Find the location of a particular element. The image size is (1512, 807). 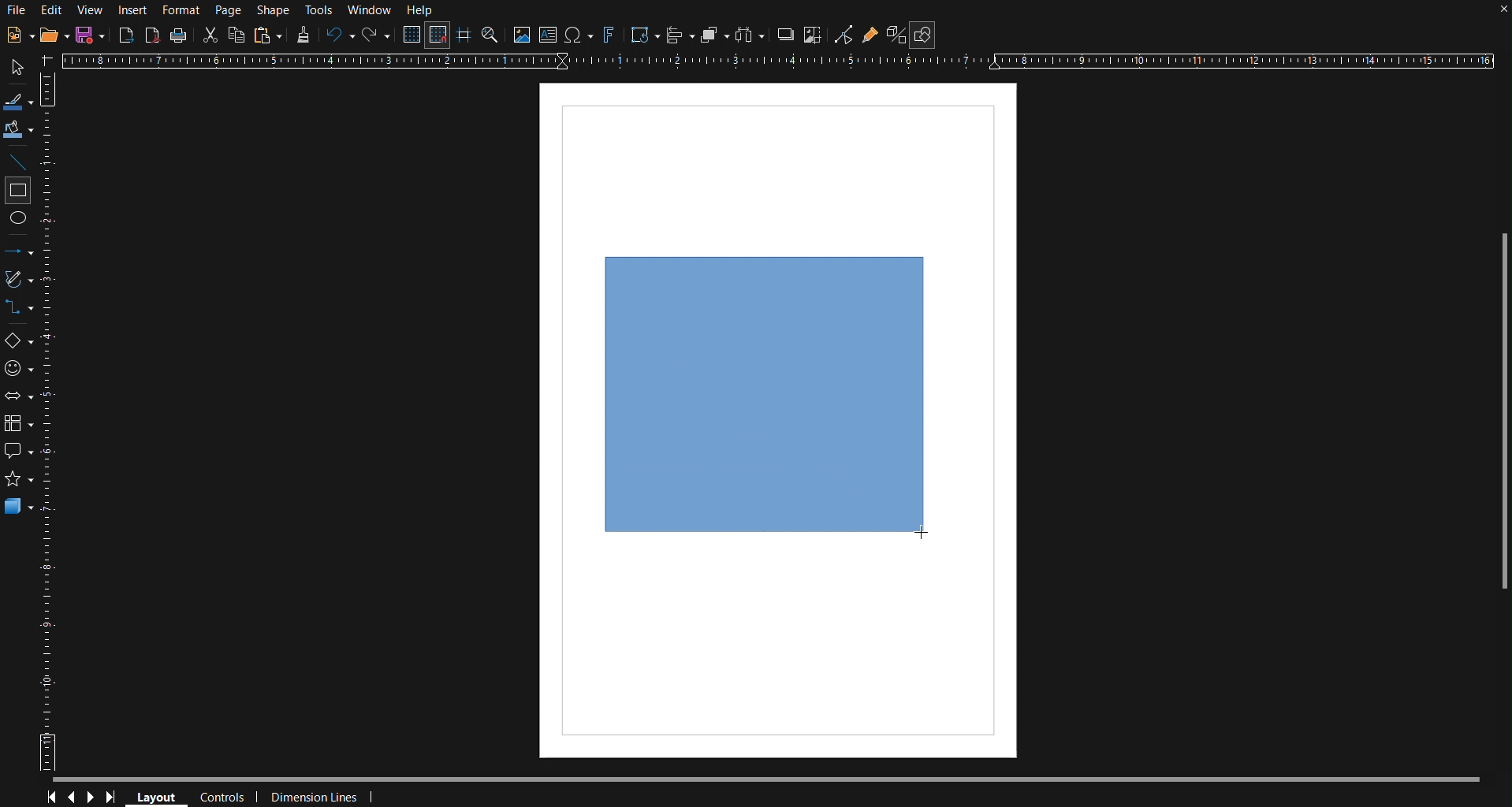

Ruler Vertical is located at coordinates (50, 420).